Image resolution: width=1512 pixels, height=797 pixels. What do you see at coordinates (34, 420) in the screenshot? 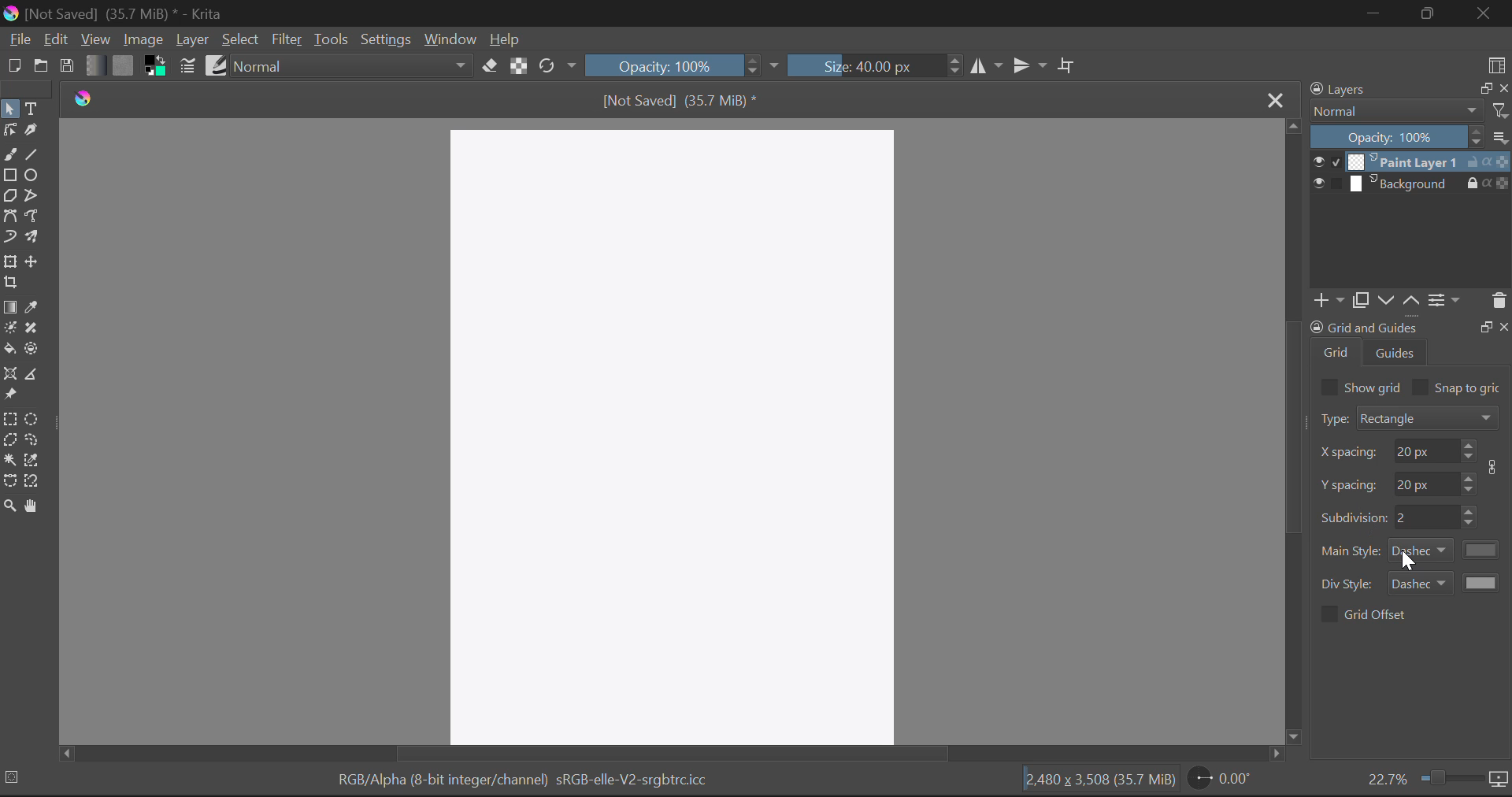
I see `Circular Selection` at bounding box center [34, 420].